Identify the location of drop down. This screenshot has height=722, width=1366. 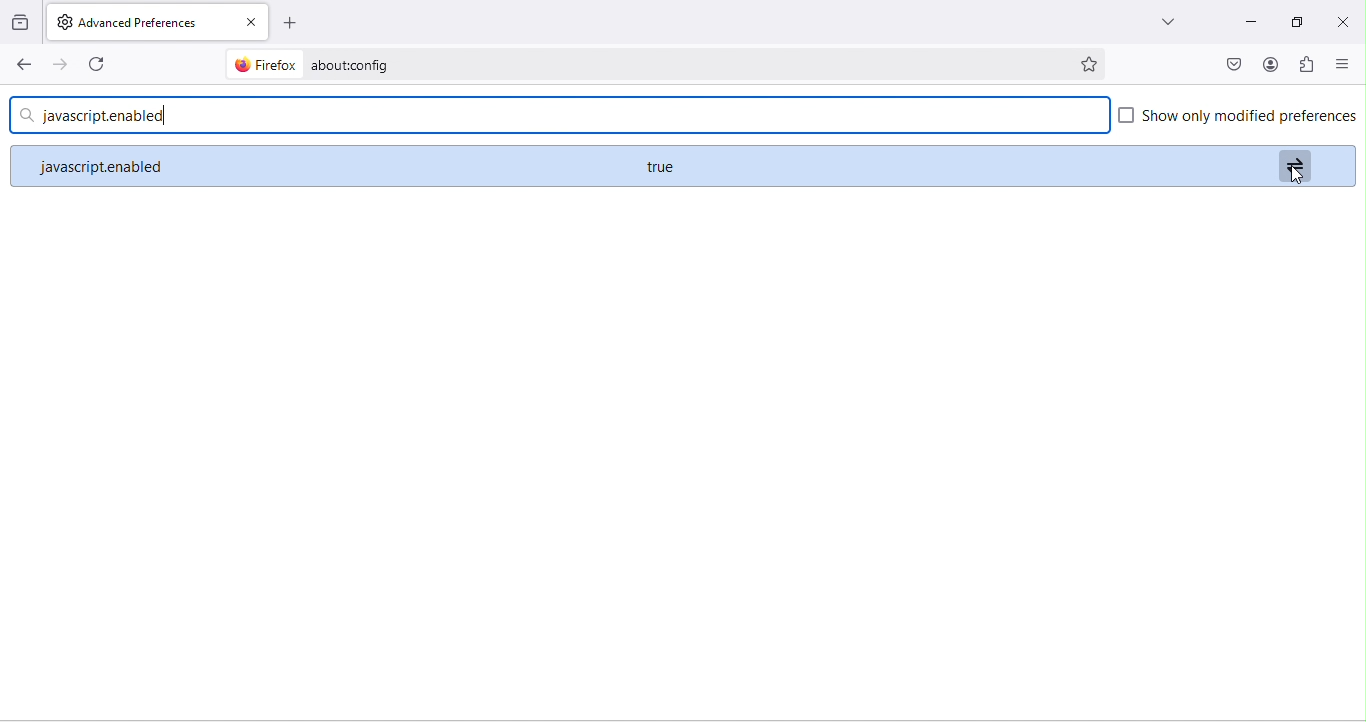
(1167, 22).